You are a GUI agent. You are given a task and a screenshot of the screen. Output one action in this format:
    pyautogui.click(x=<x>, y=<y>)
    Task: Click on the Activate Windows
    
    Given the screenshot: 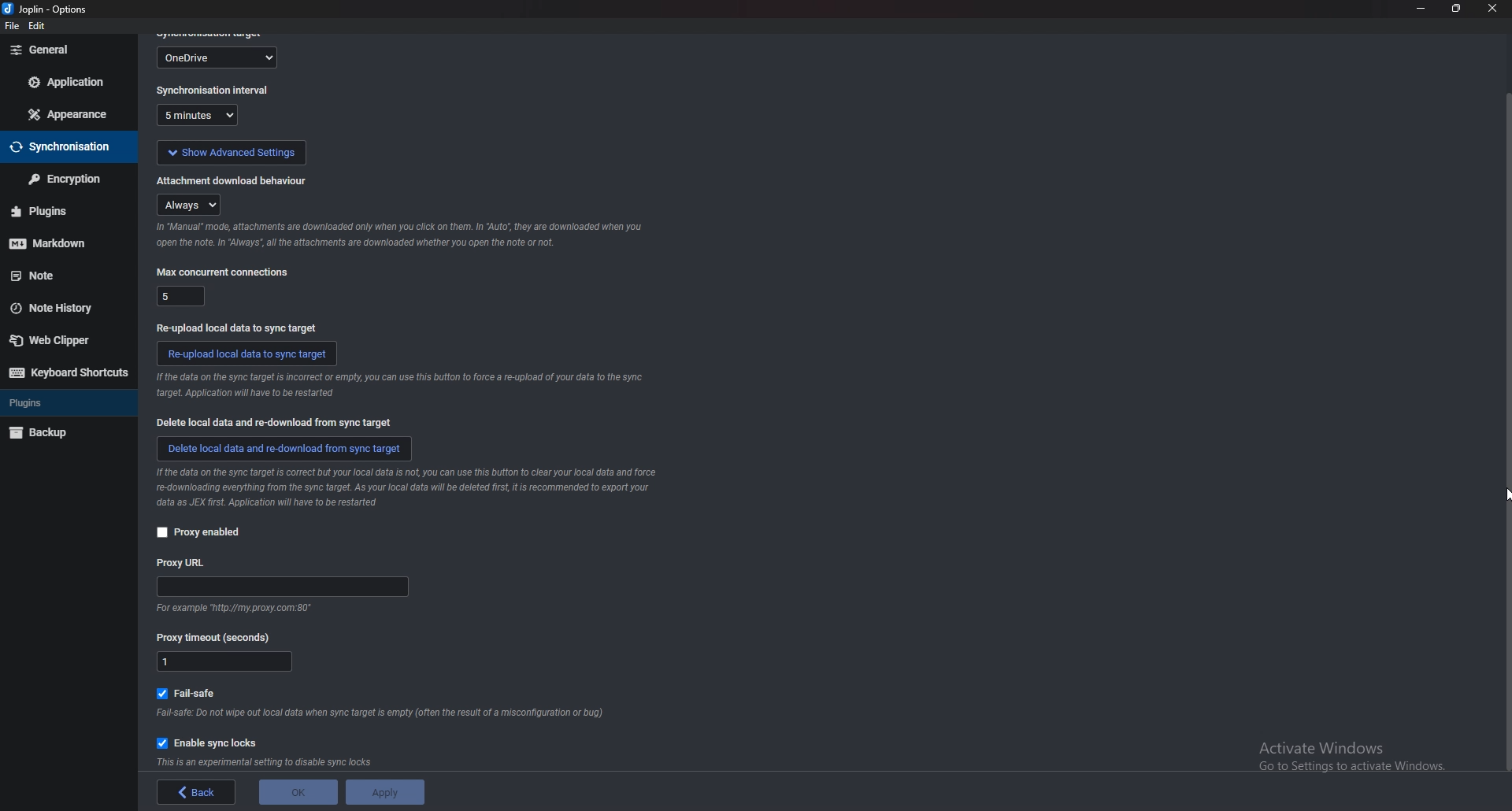 What is the action you would take?
    pyautogui.click(x=1346, y=749)
    